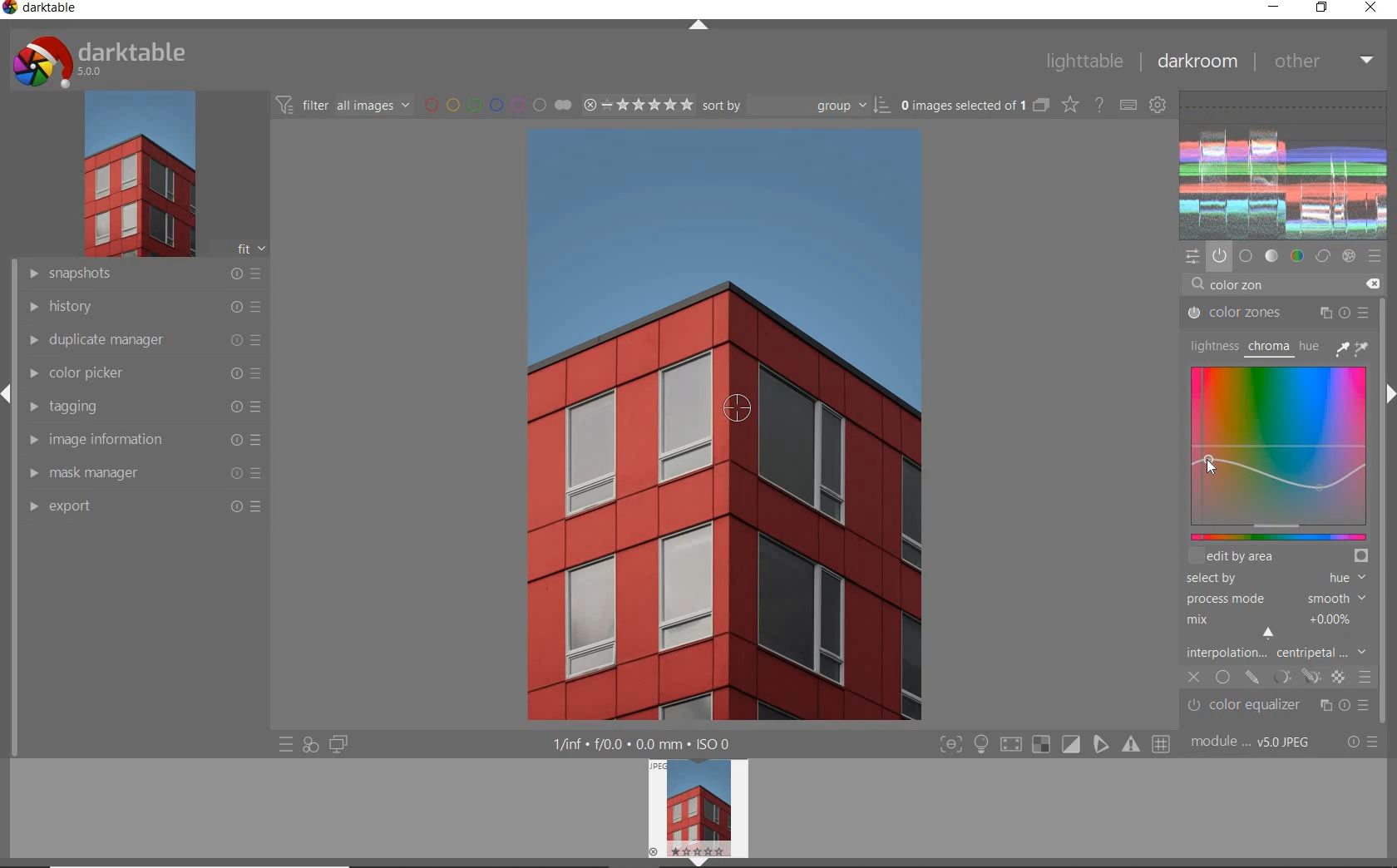 This screenshot has width=1397, height=868. I want to click on expand/collapse, so click(1389, 392).